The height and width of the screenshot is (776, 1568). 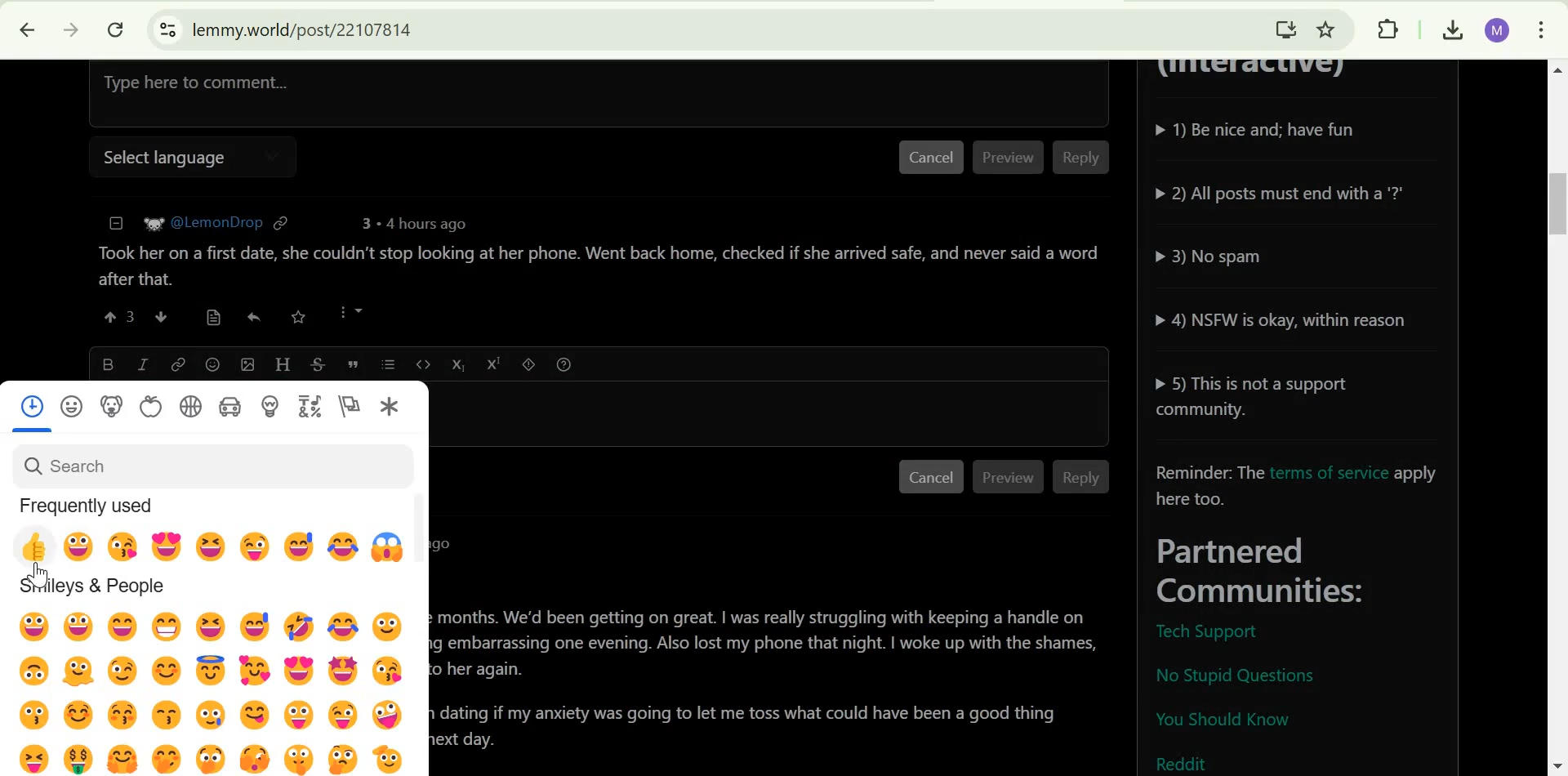 I want to click on View site information, so click(x=166, y=30).